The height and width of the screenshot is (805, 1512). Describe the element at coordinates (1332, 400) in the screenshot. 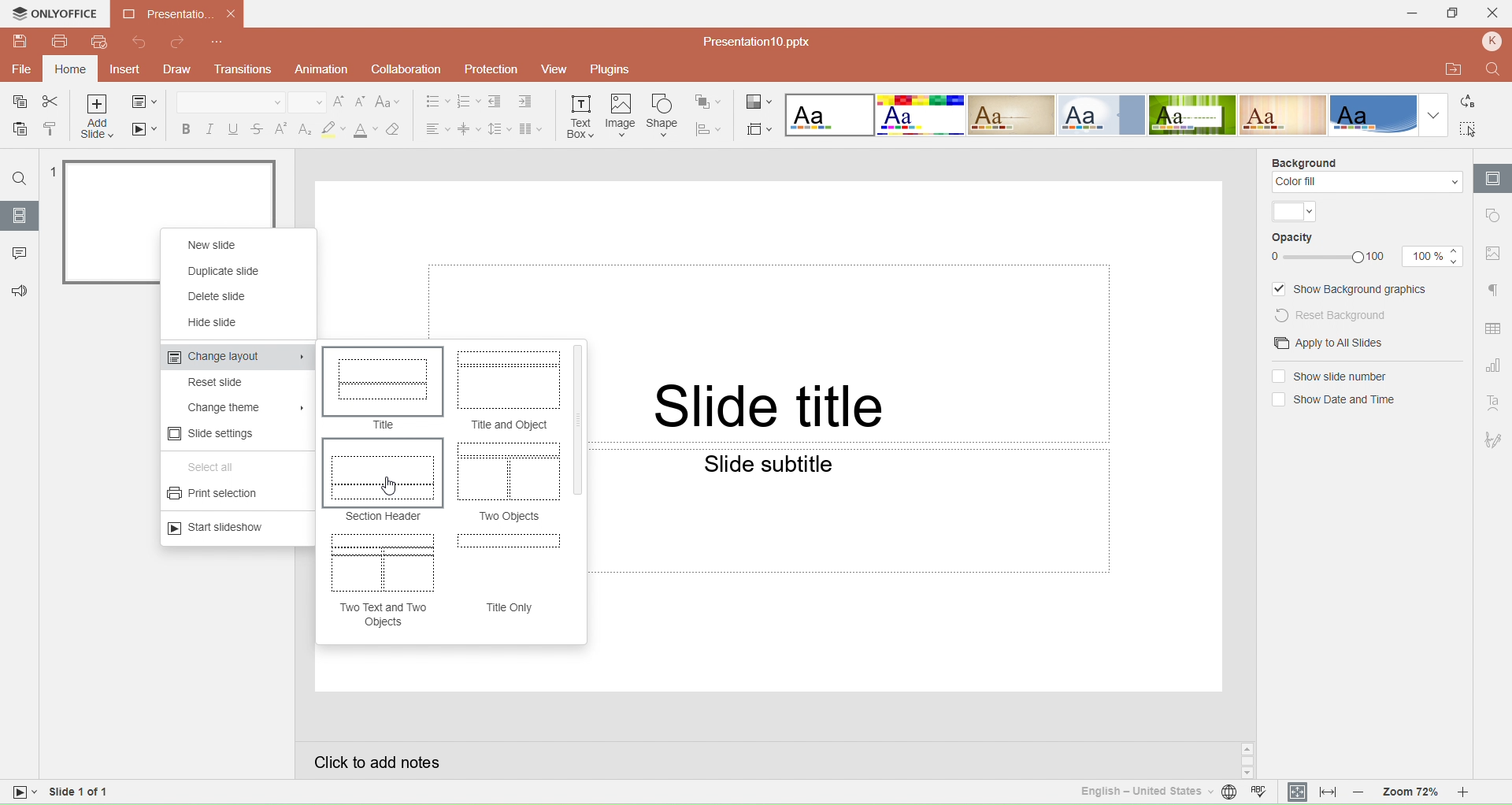

I see `(un)select Show date and time` at that location.